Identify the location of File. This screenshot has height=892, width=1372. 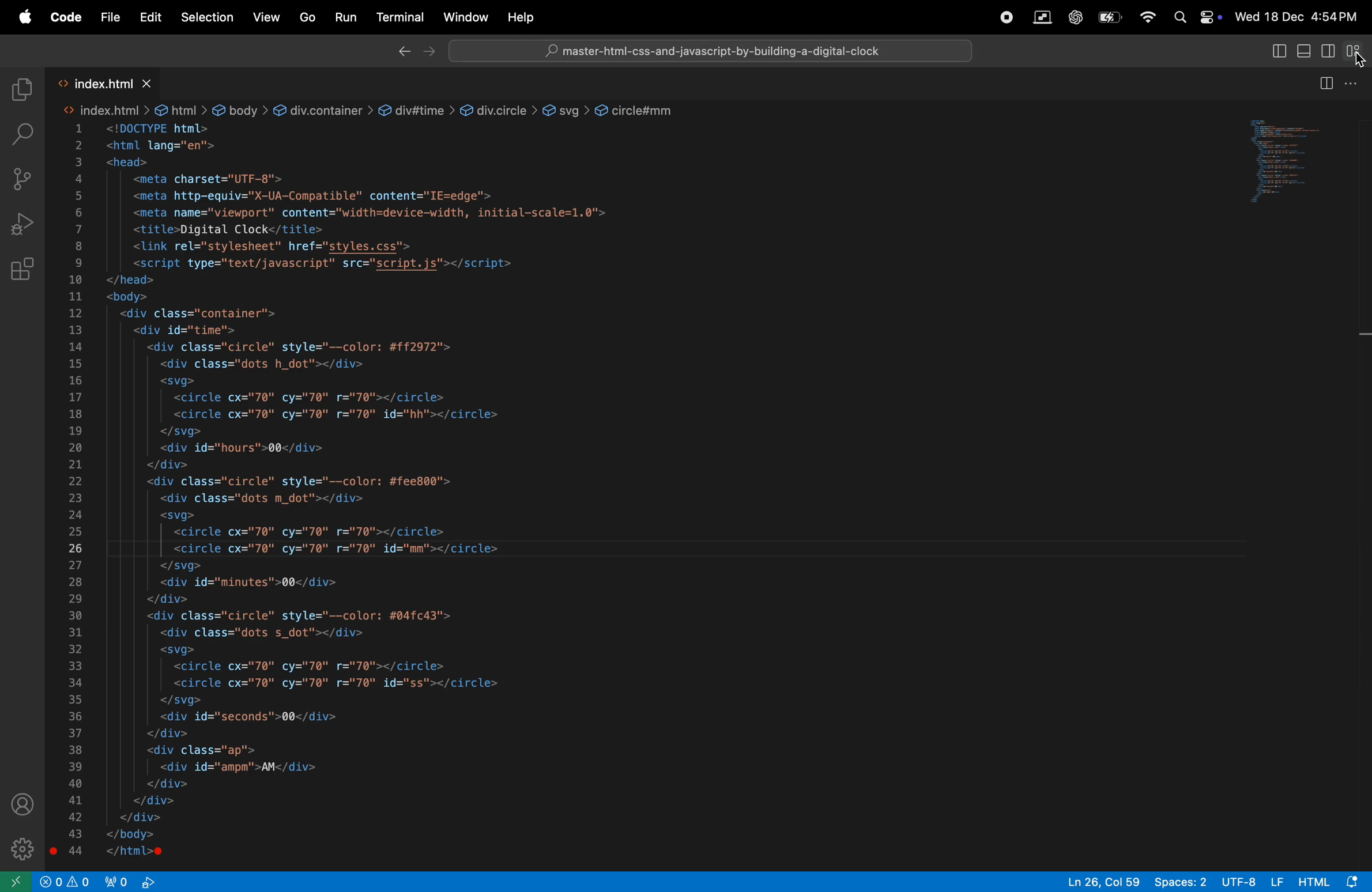
(109, 18).